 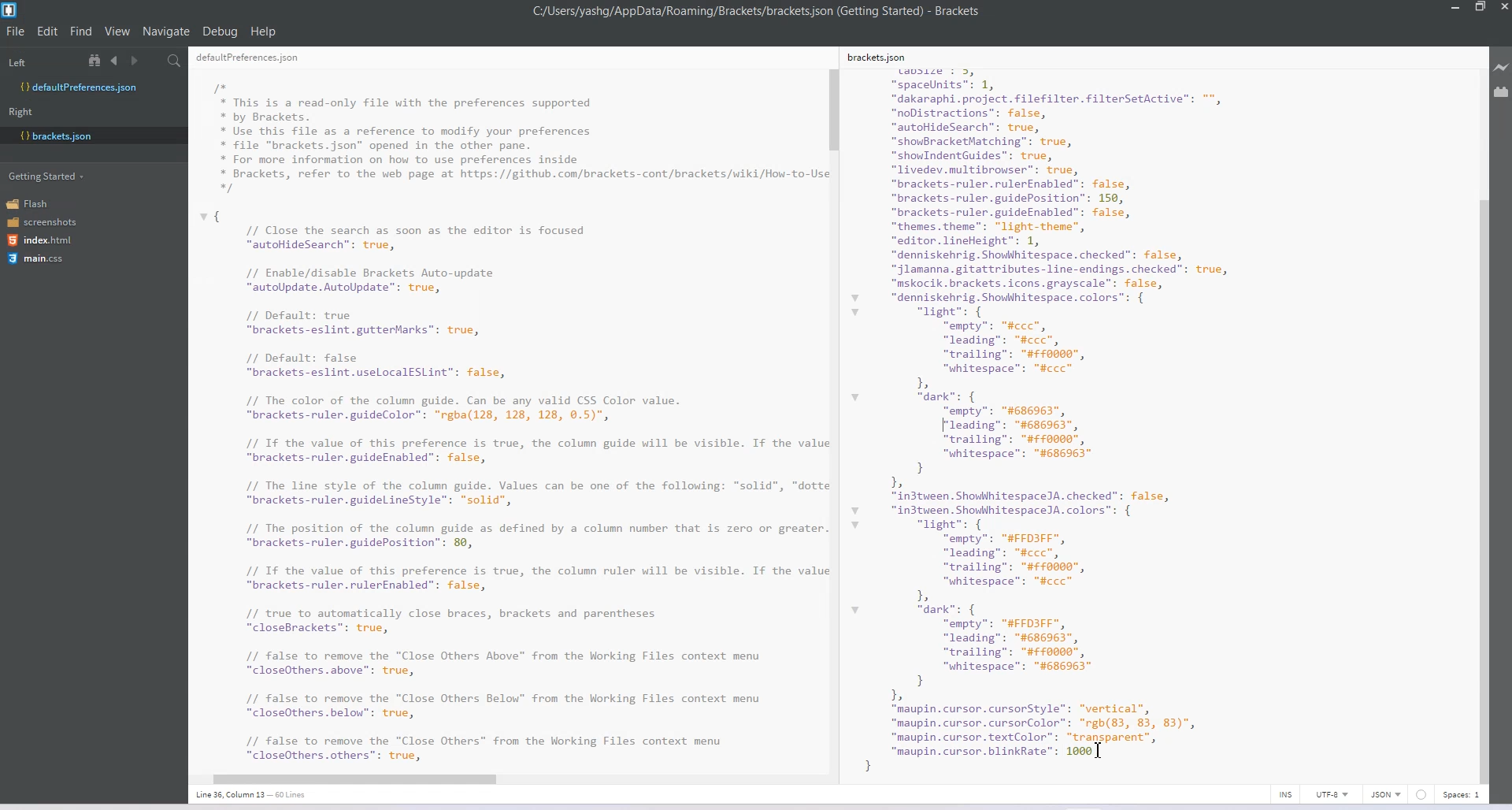 What do you see at coordinates (90, 135) in the screenshot?
I see `bracket.json` at bounding box center [90, 135].